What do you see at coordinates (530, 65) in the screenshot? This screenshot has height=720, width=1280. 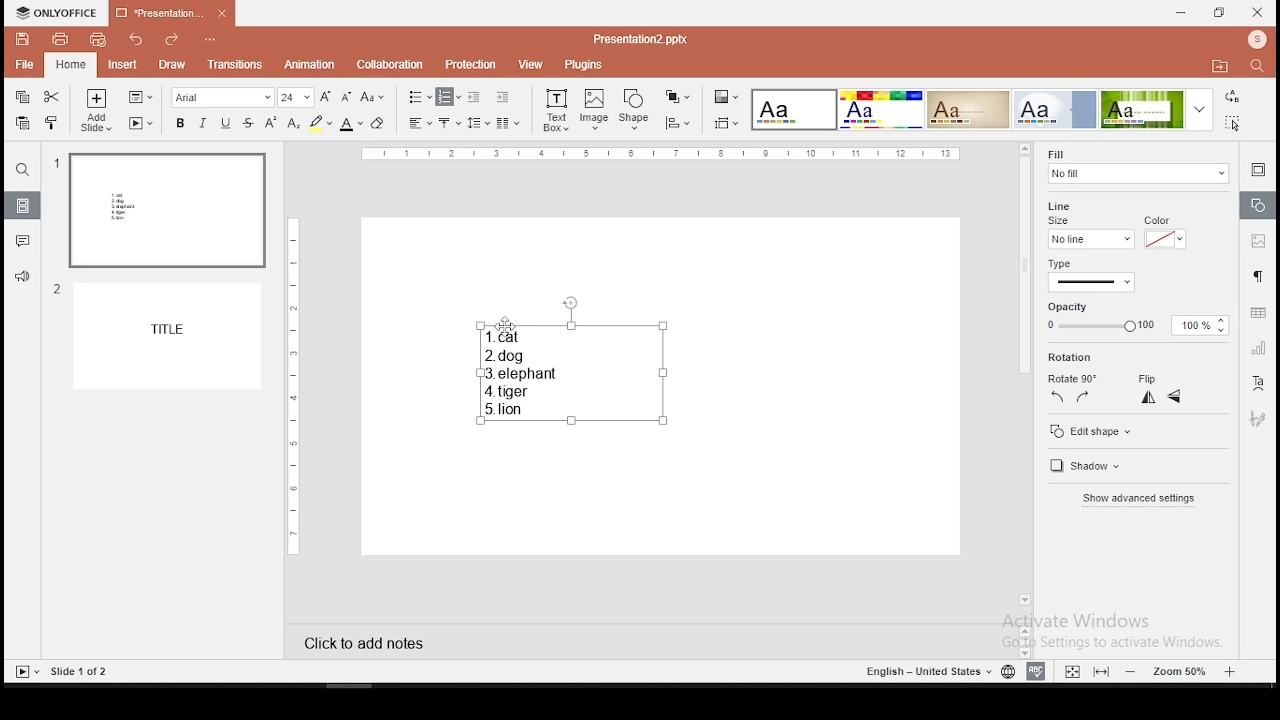 I see `view` at bounding box center [530, 65].